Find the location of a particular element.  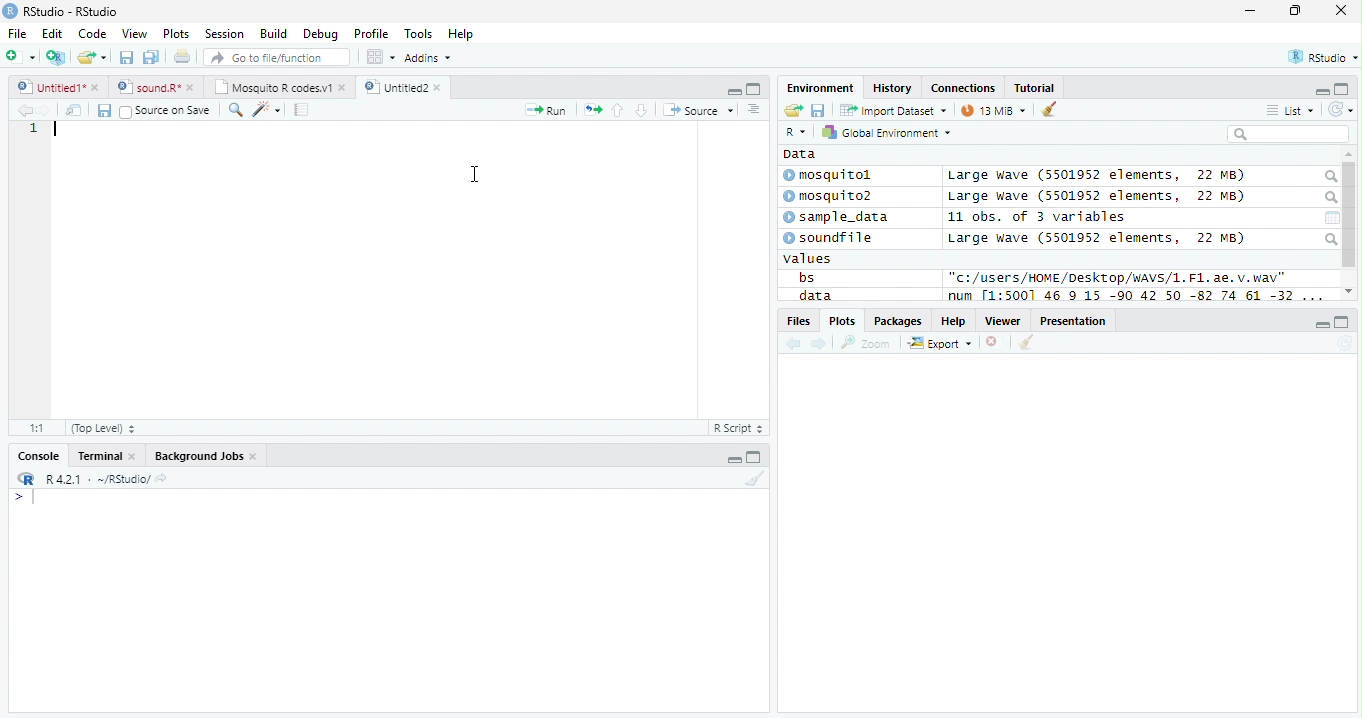

Debug is located at coordinates (319, 34).